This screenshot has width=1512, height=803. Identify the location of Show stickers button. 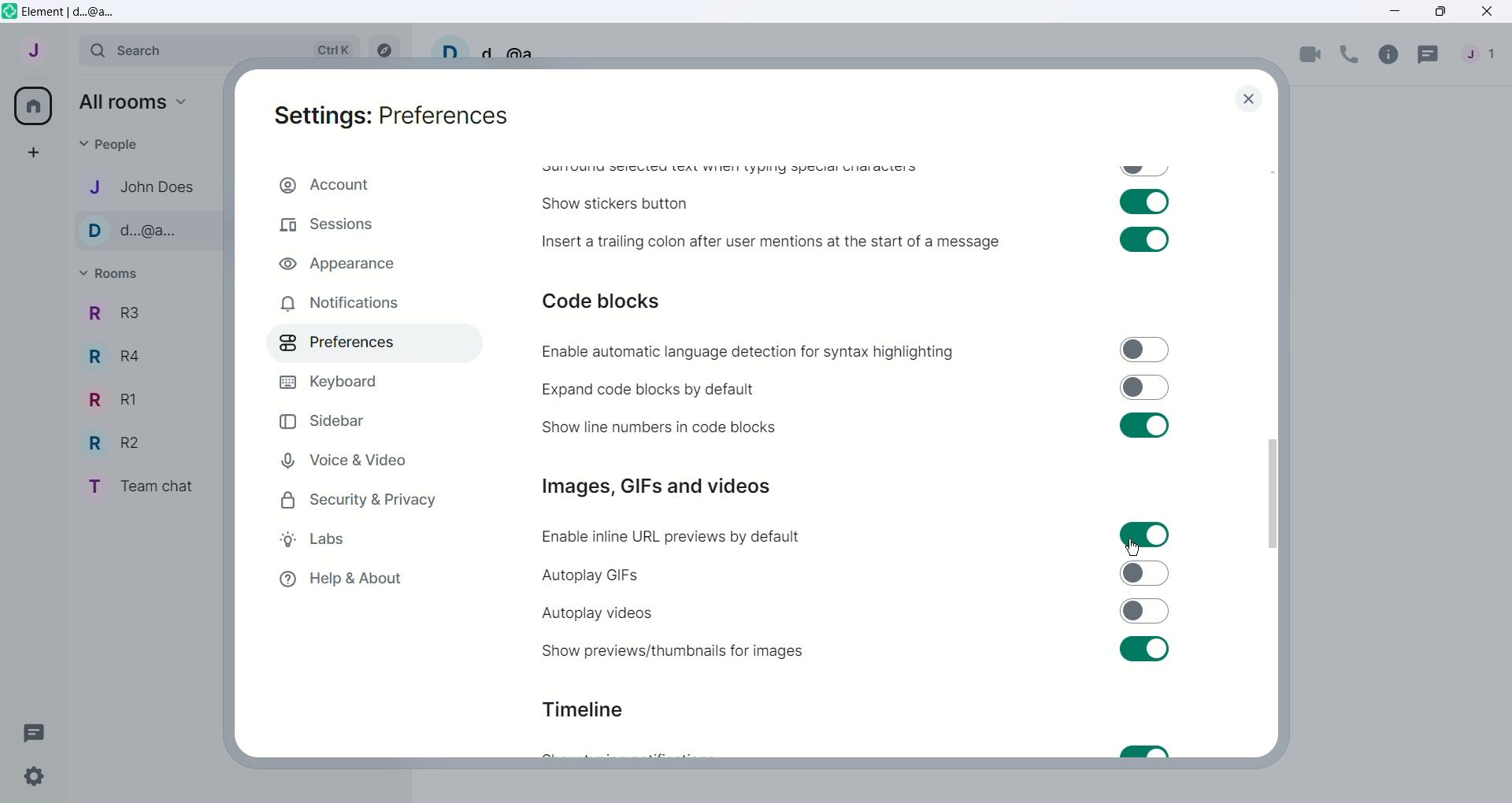
(614, 204).